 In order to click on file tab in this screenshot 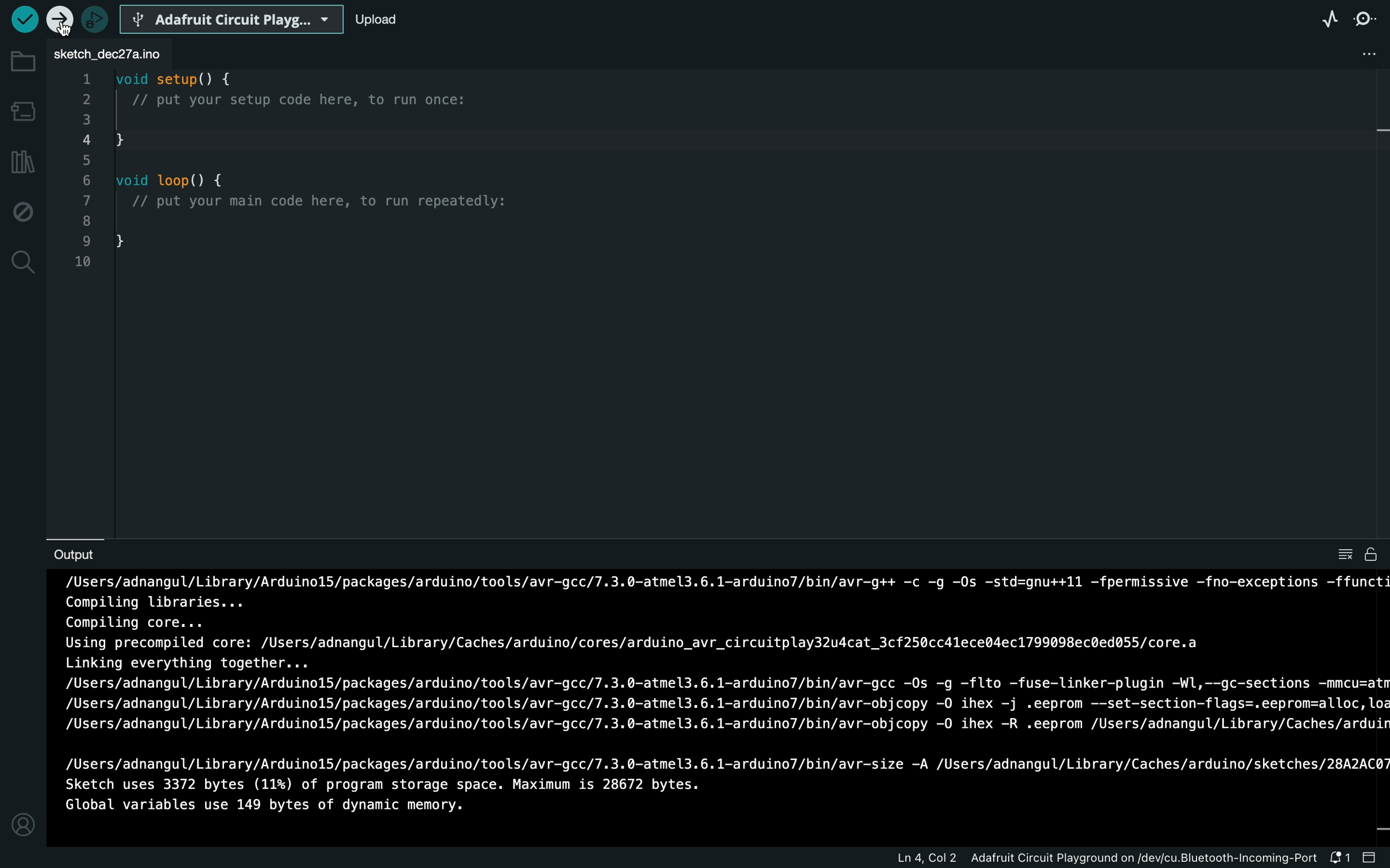, I will do `click(118, 53)`.